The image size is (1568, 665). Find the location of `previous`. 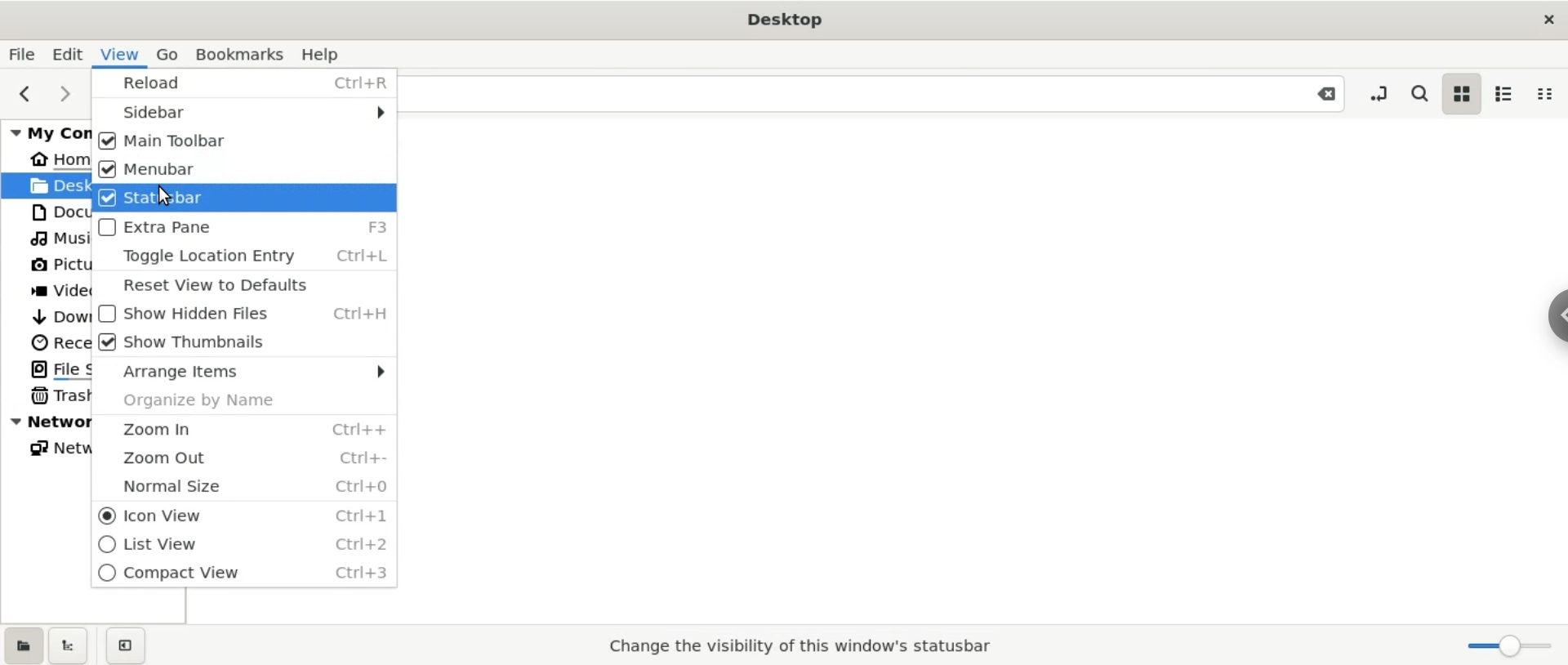

previous is located at coordinates (31, 94).